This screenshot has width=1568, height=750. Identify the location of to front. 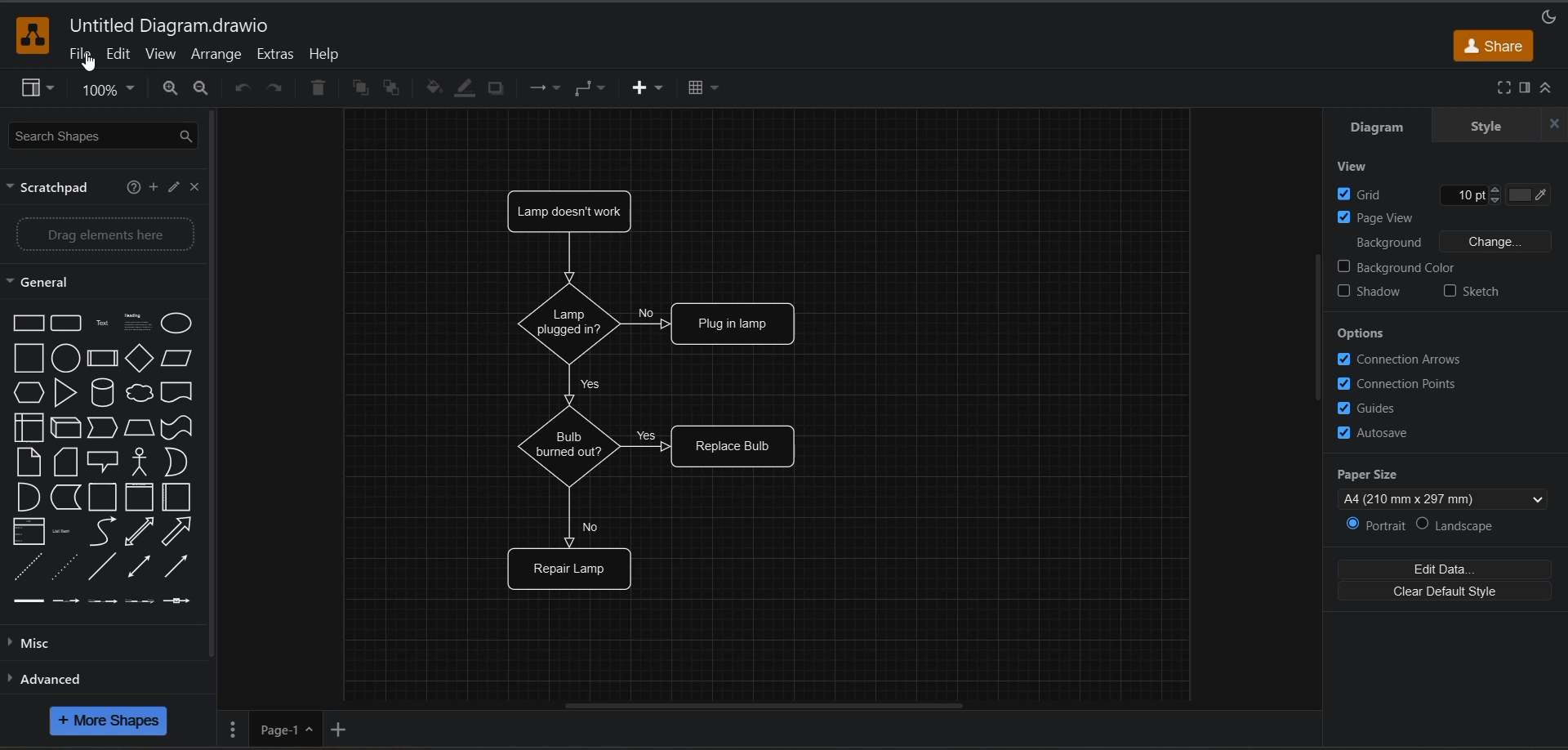
(358, 85).